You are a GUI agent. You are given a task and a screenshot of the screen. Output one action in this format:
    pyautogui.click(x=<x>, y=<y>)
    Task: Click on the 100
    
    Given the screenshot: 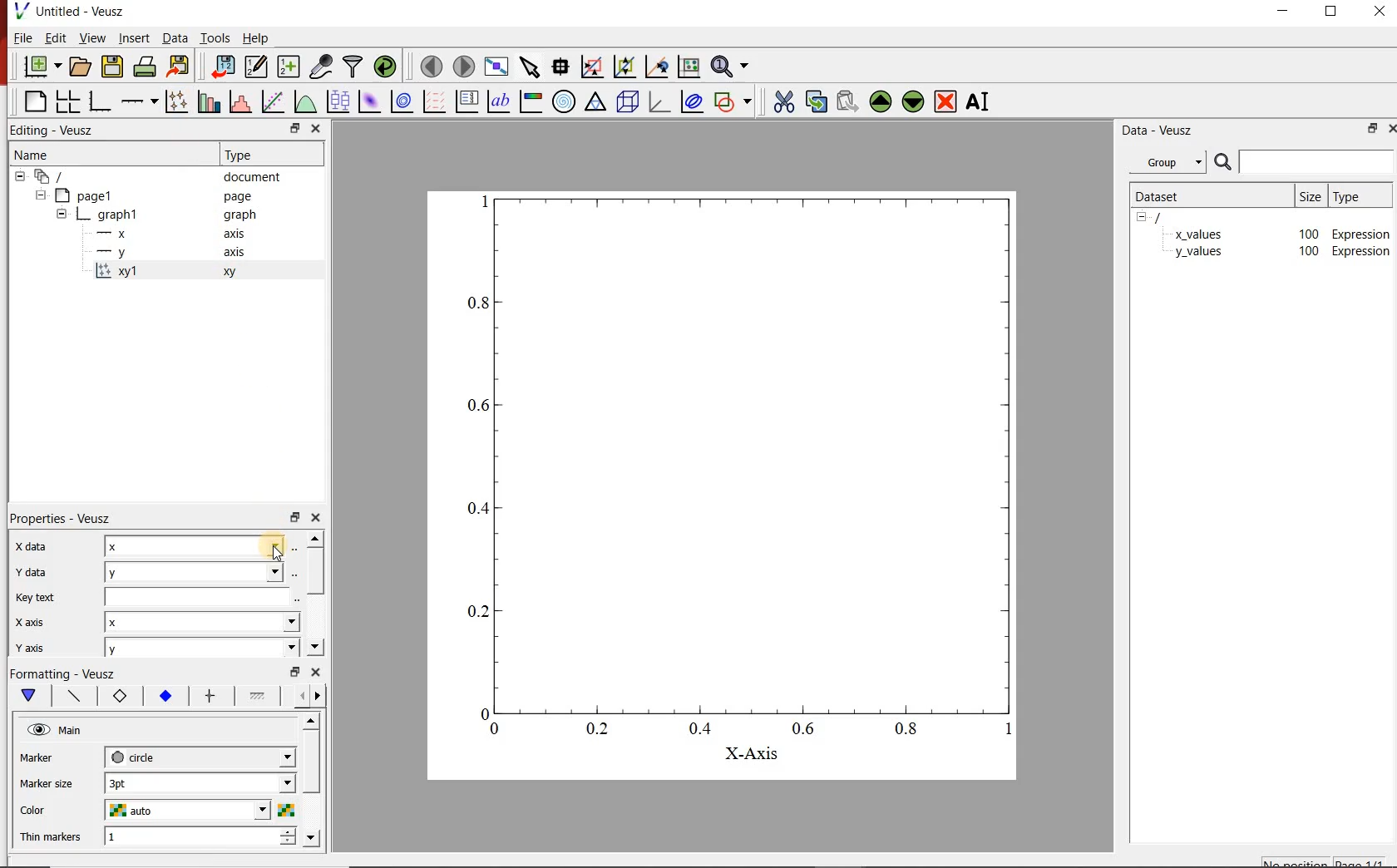 What is the action you would take?
    pyautogui.click(x=1308, y=233)
    